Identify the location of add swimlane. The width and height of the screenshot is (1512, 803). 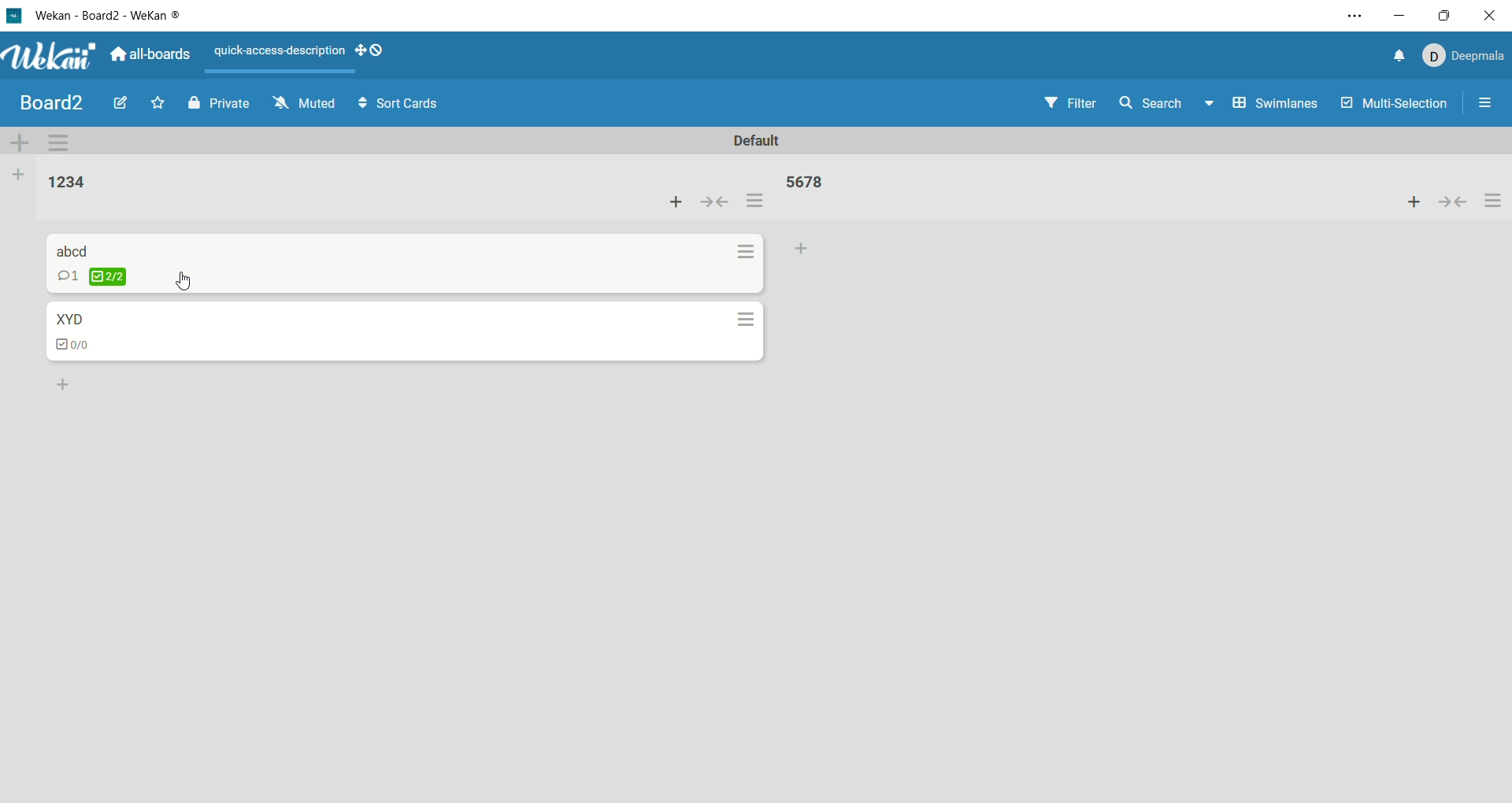
(20, 142).